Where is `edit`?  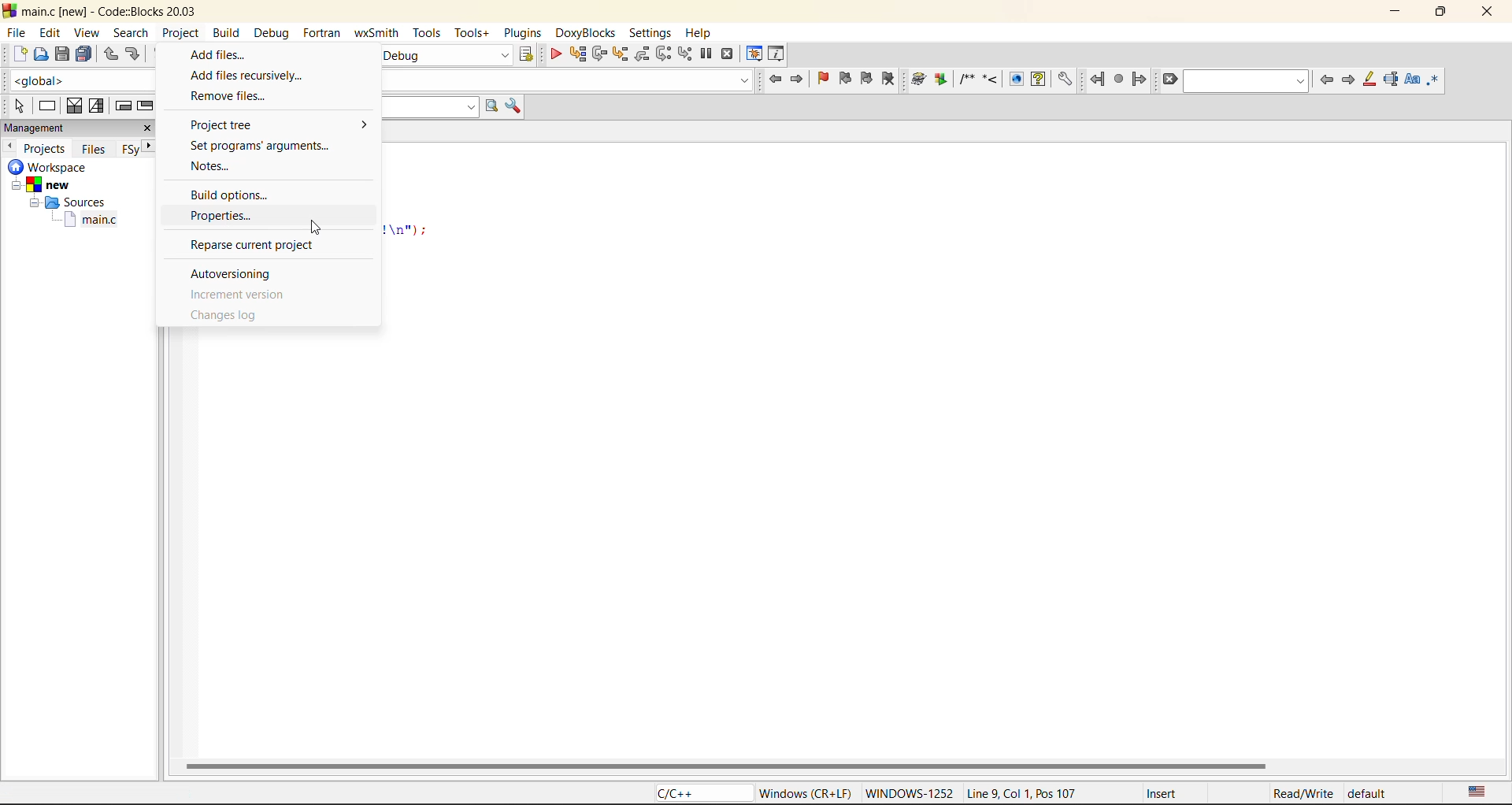
edit is located at coordinates (50, 33).